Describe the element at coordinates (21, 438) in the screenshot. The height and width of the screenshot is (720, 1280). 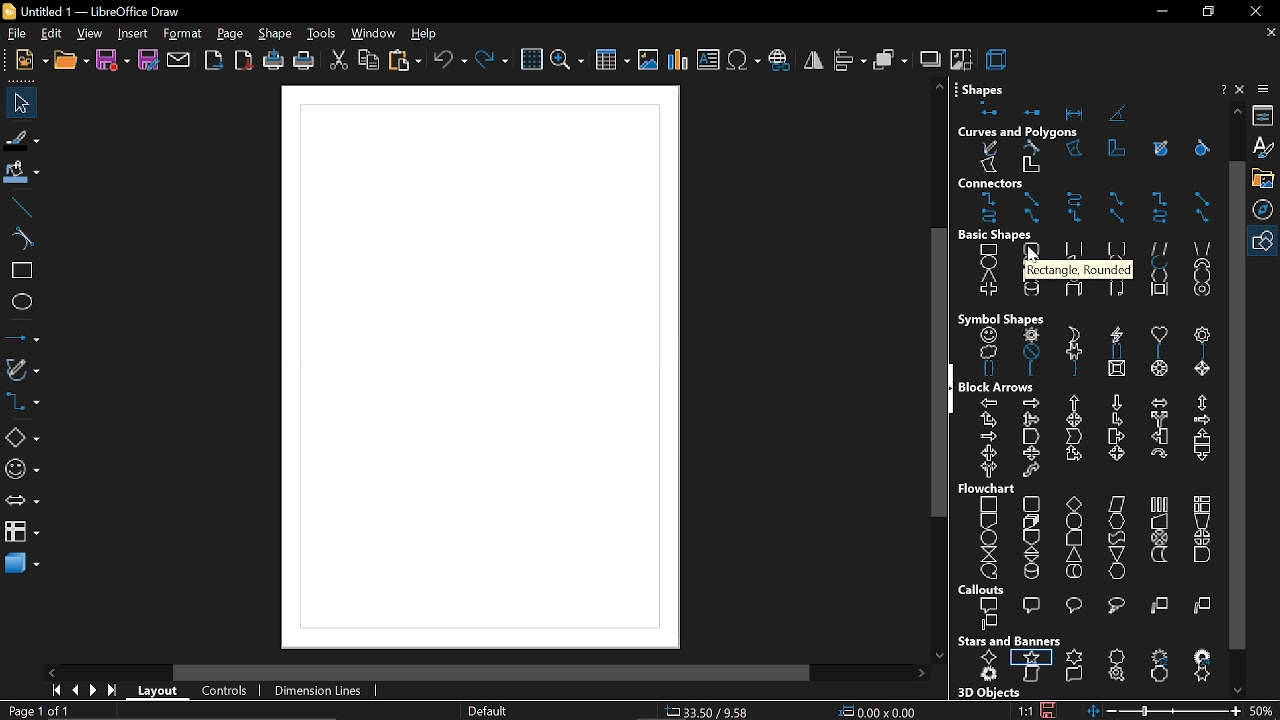
I see `basic shapes` at that location.